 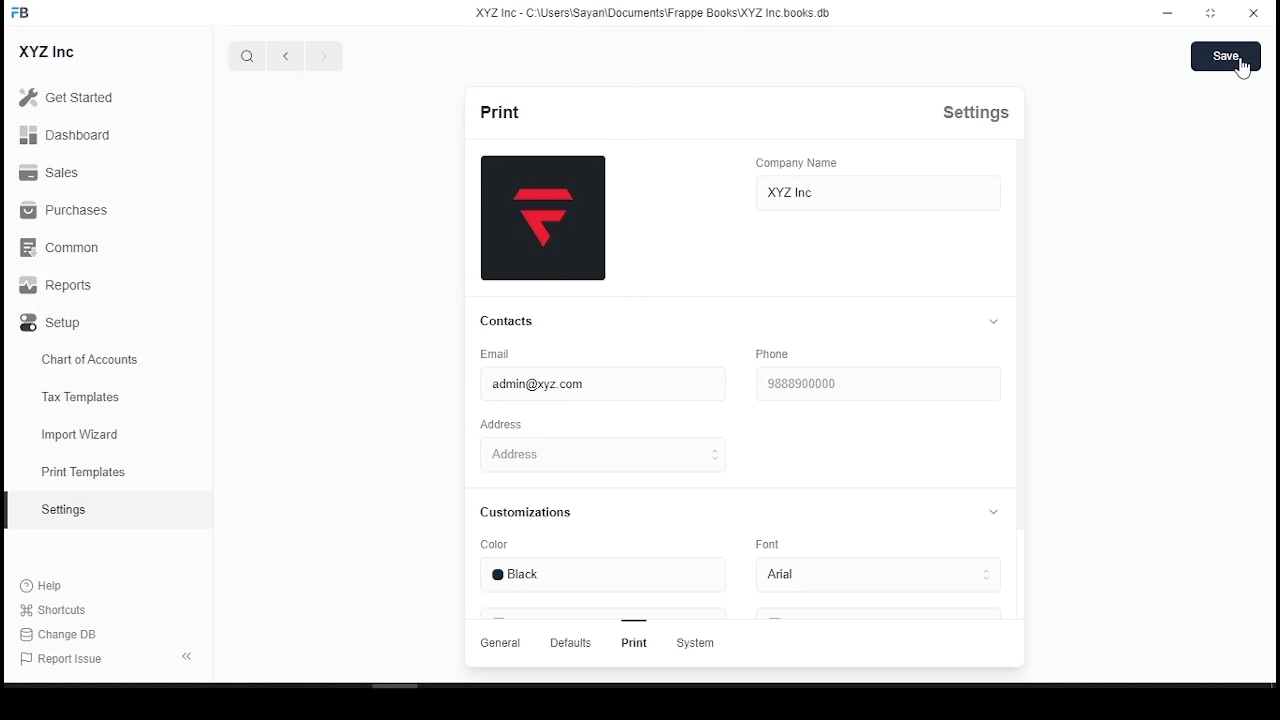 What do you see at coordinates (656, 13) in the screenshot?
I see `XYZ Inc - C:\users\Sayan\Documents\FrappeBooks\XYZ Incbooks.db` at bounding box center [656, 13].